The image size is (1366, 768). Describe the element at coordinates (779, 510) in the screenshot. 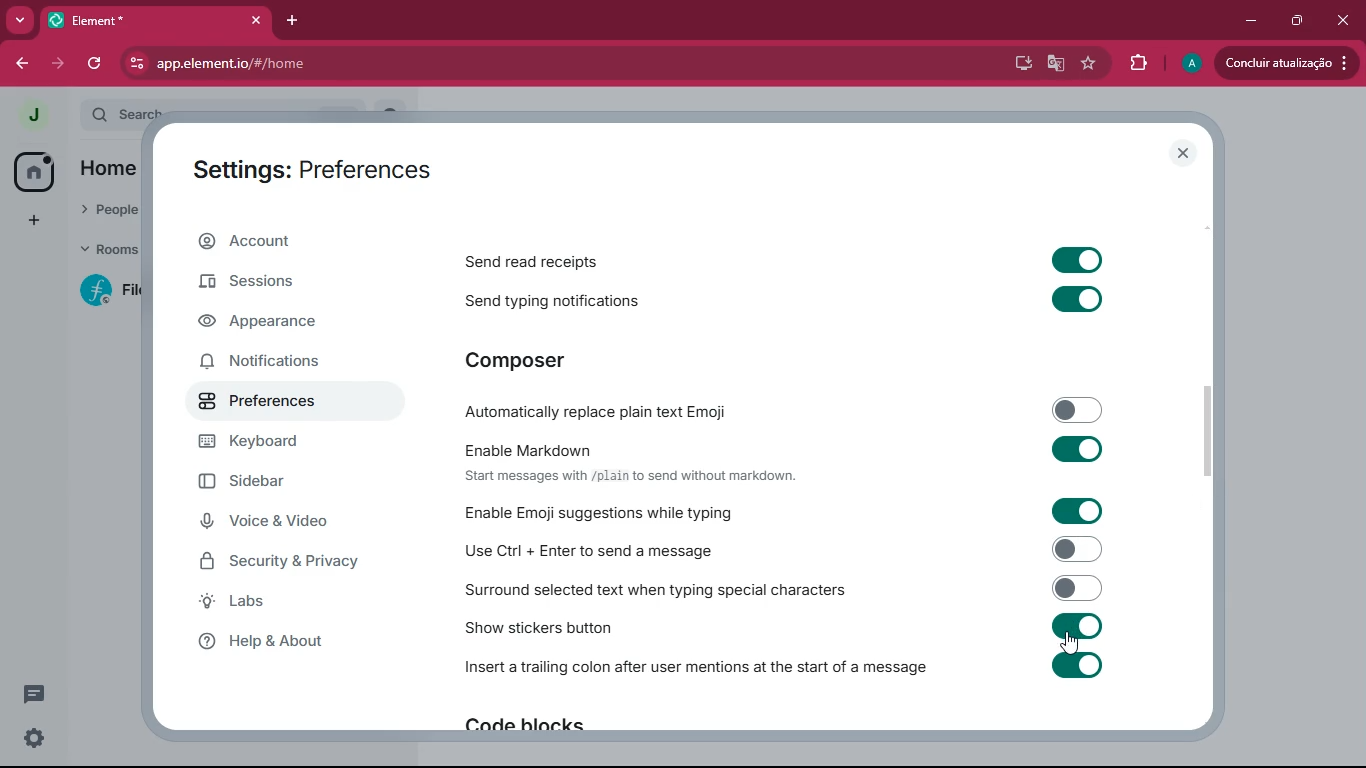

I see `Enable Emoji suggestions while typing` at that location.